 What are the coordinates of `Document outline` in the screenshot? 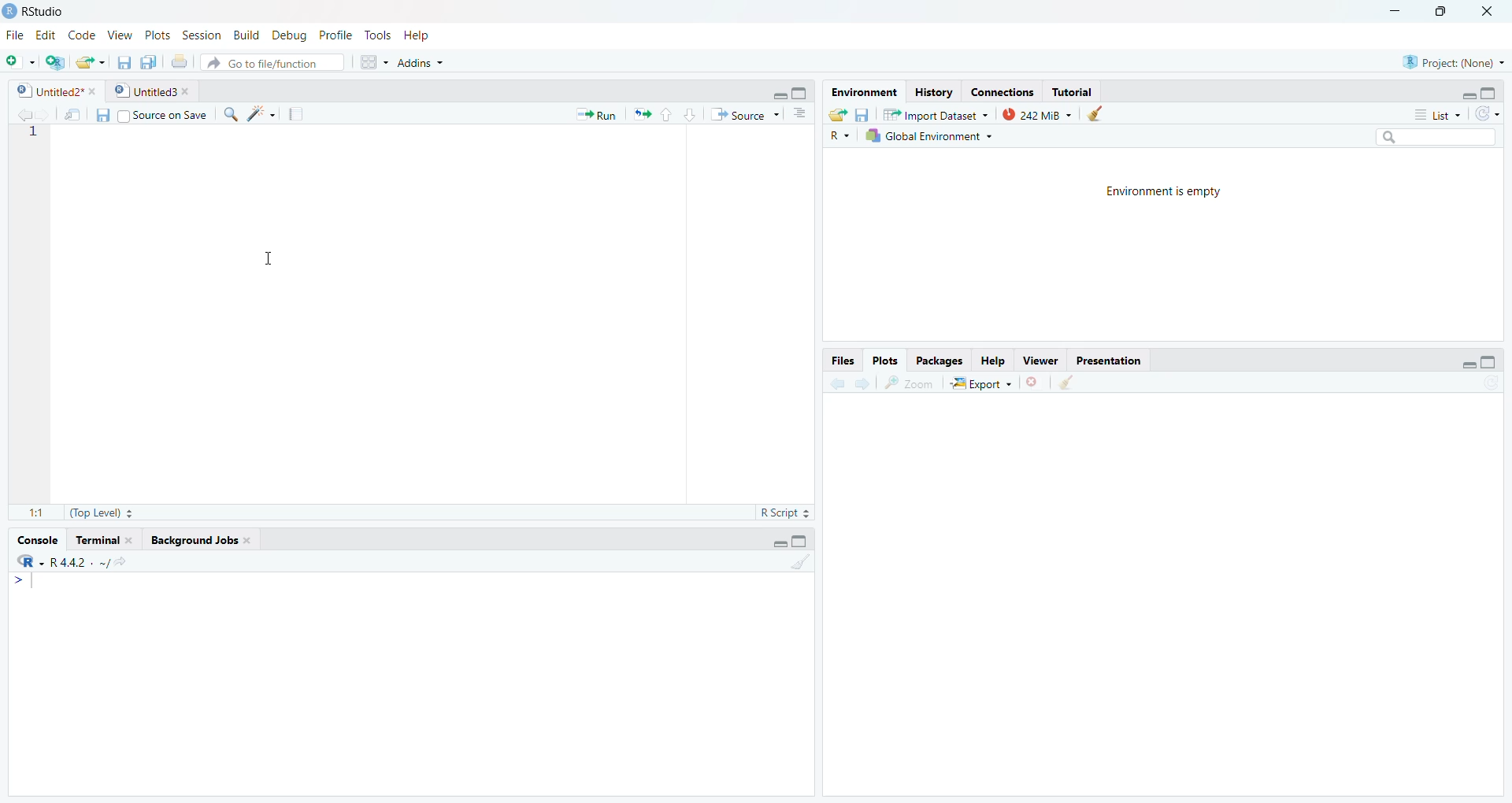 It's located at (800, 116).